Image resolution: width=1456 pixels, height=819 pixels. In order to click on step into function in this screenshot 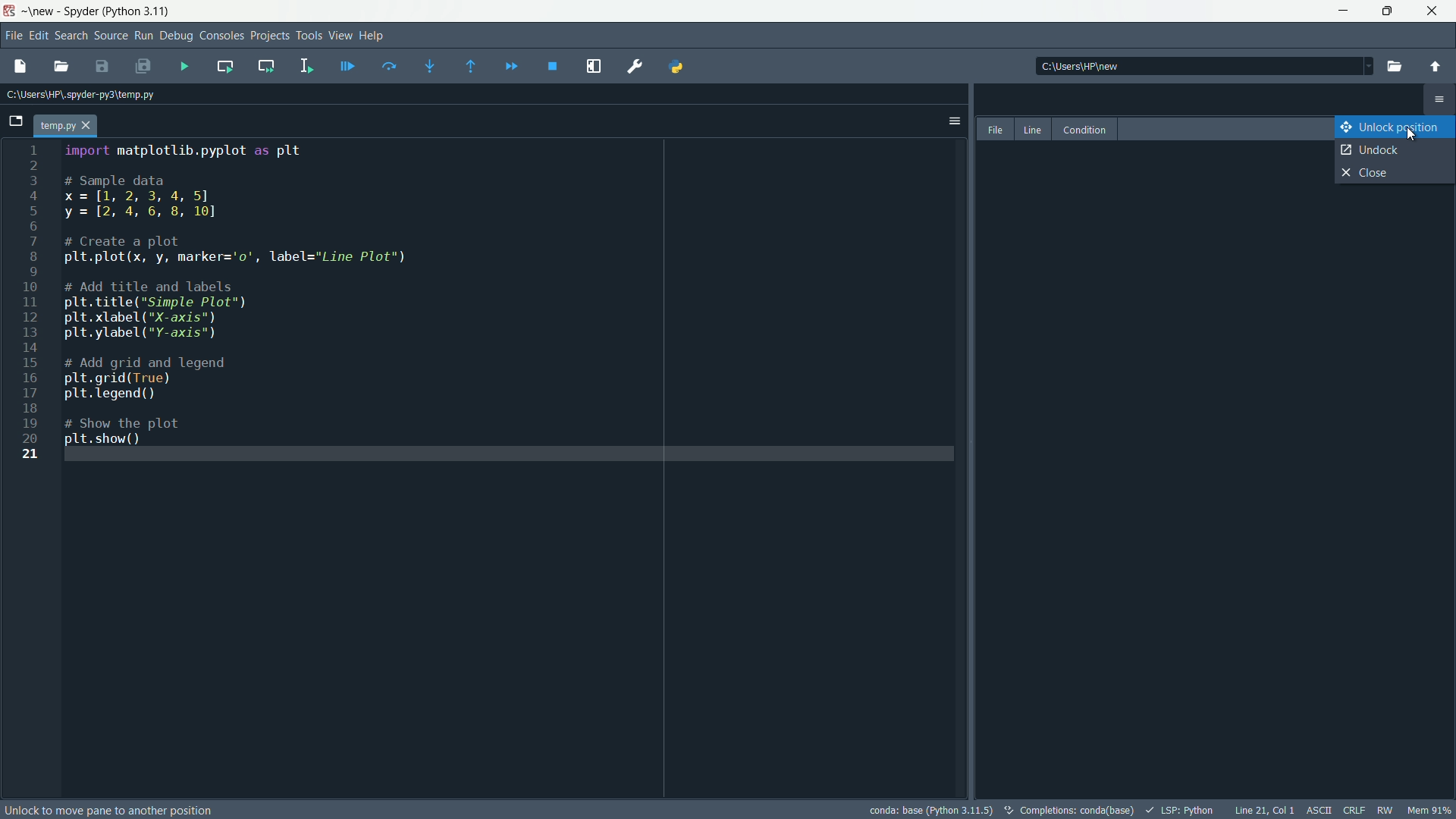, I will do `click(425, 66)`.